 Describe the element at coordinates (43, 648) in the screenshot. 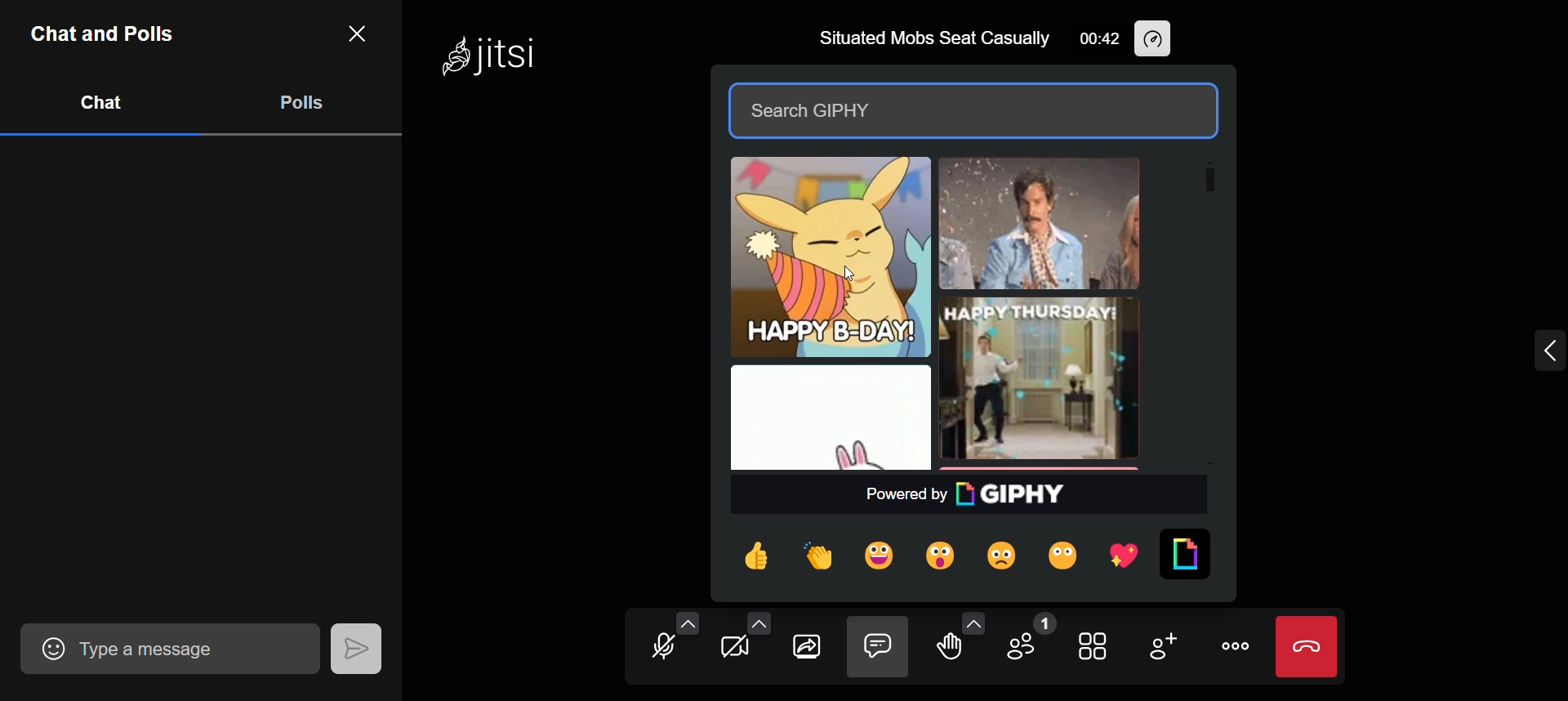

I see `add emoji` at that location.